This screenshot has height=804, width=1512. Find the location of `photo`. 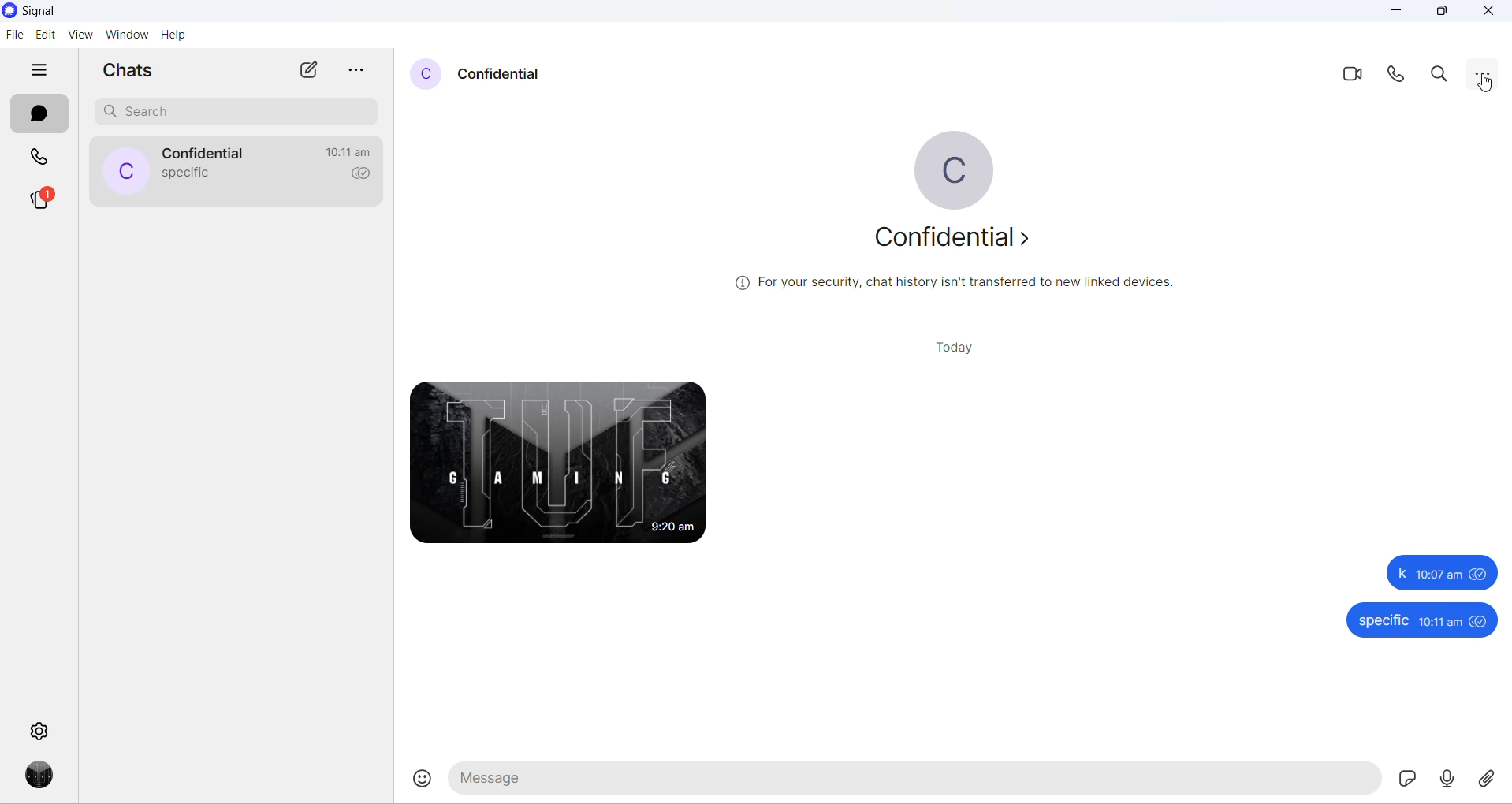

photo is located at coordinates (555, 460).